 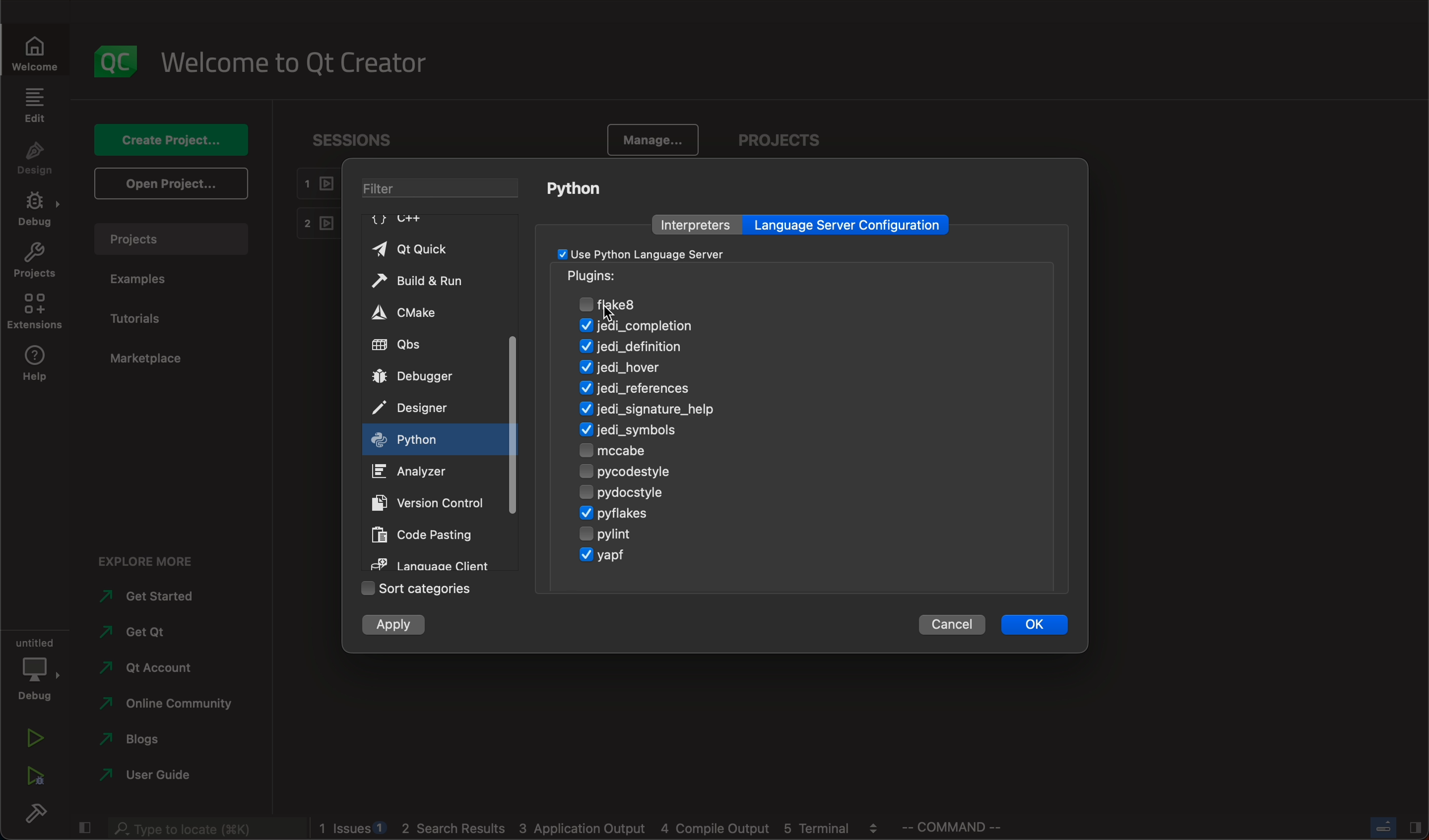 I want to click on qt quick, so click(x=427, y=245).